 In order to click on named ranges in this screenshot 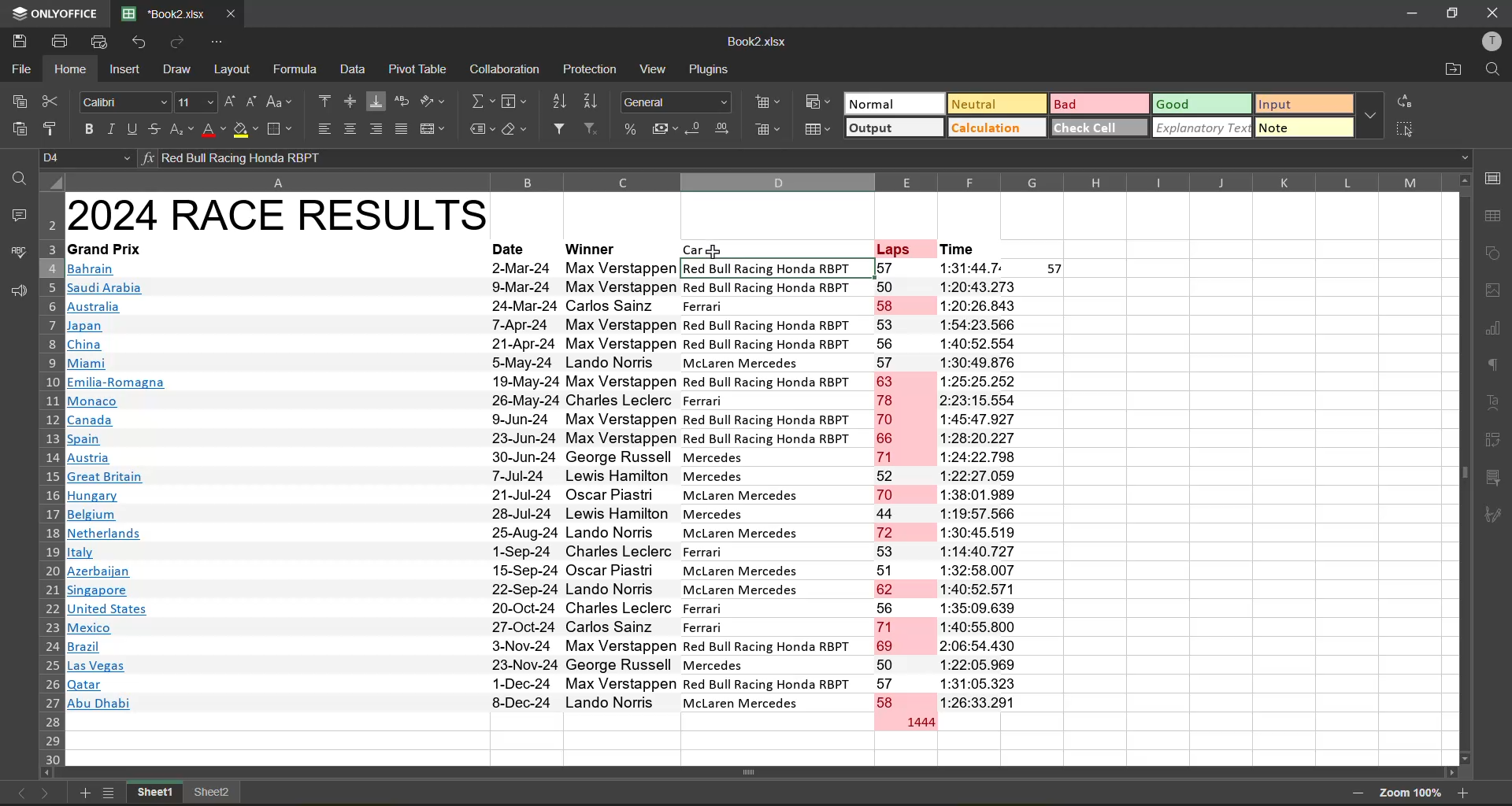, I will do `click(479, 130)`.